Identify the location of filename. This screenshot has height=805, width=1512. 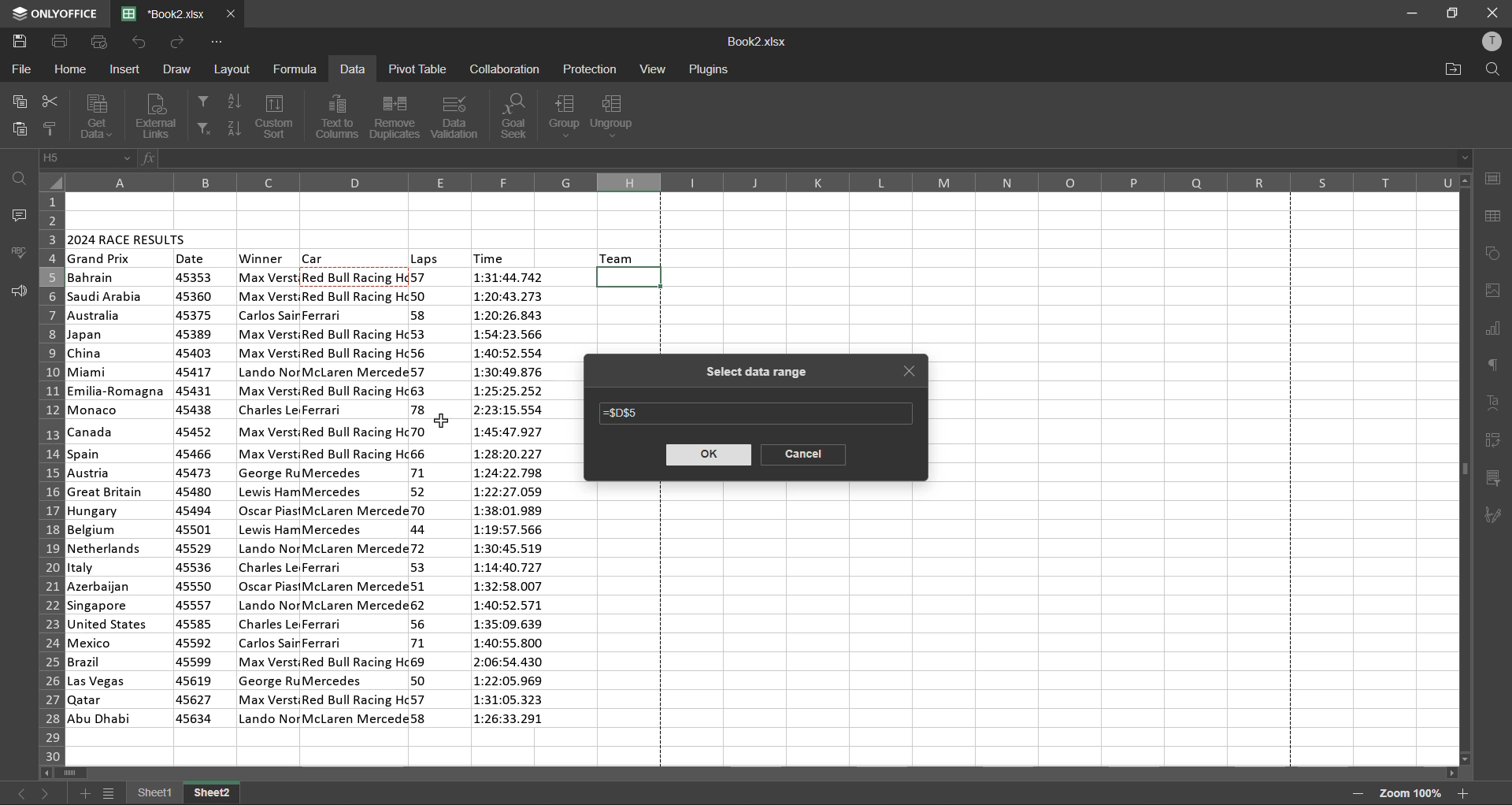
(169, 13).